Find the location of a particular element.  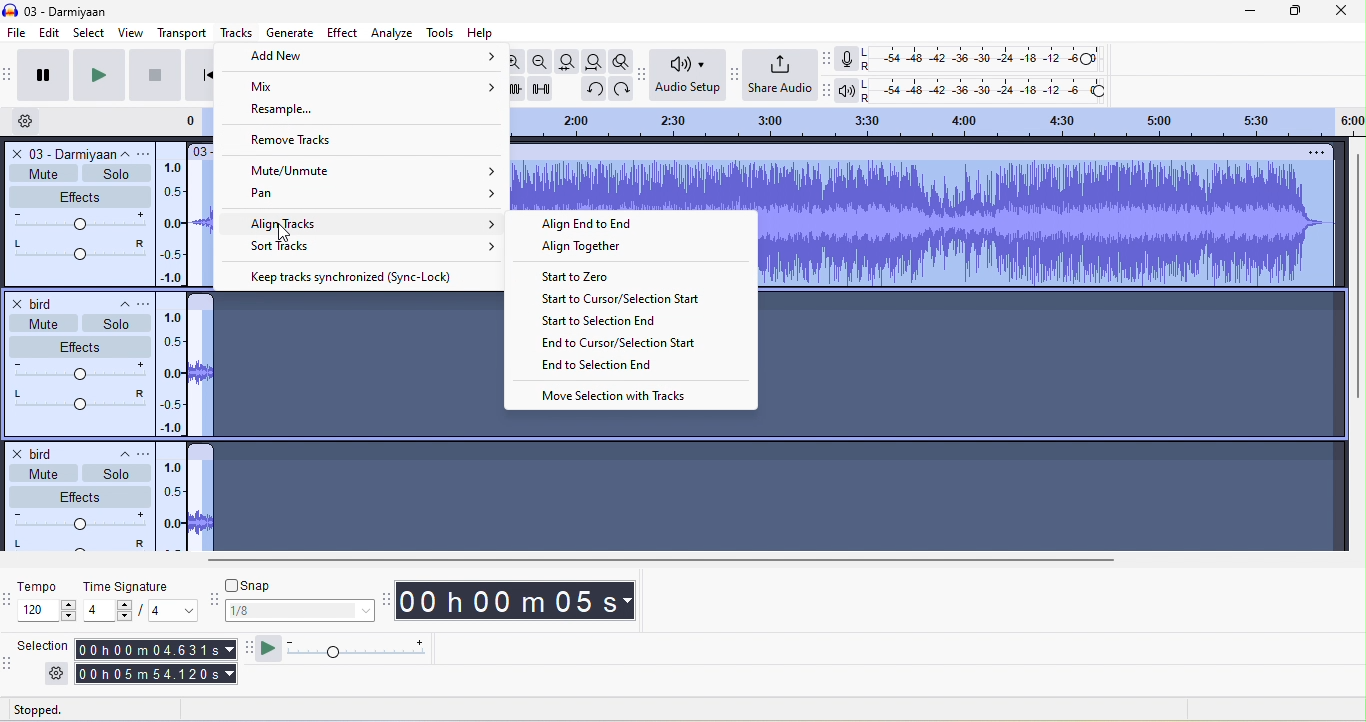

click and drag to define a looping region is located at coordinates (937, 121).